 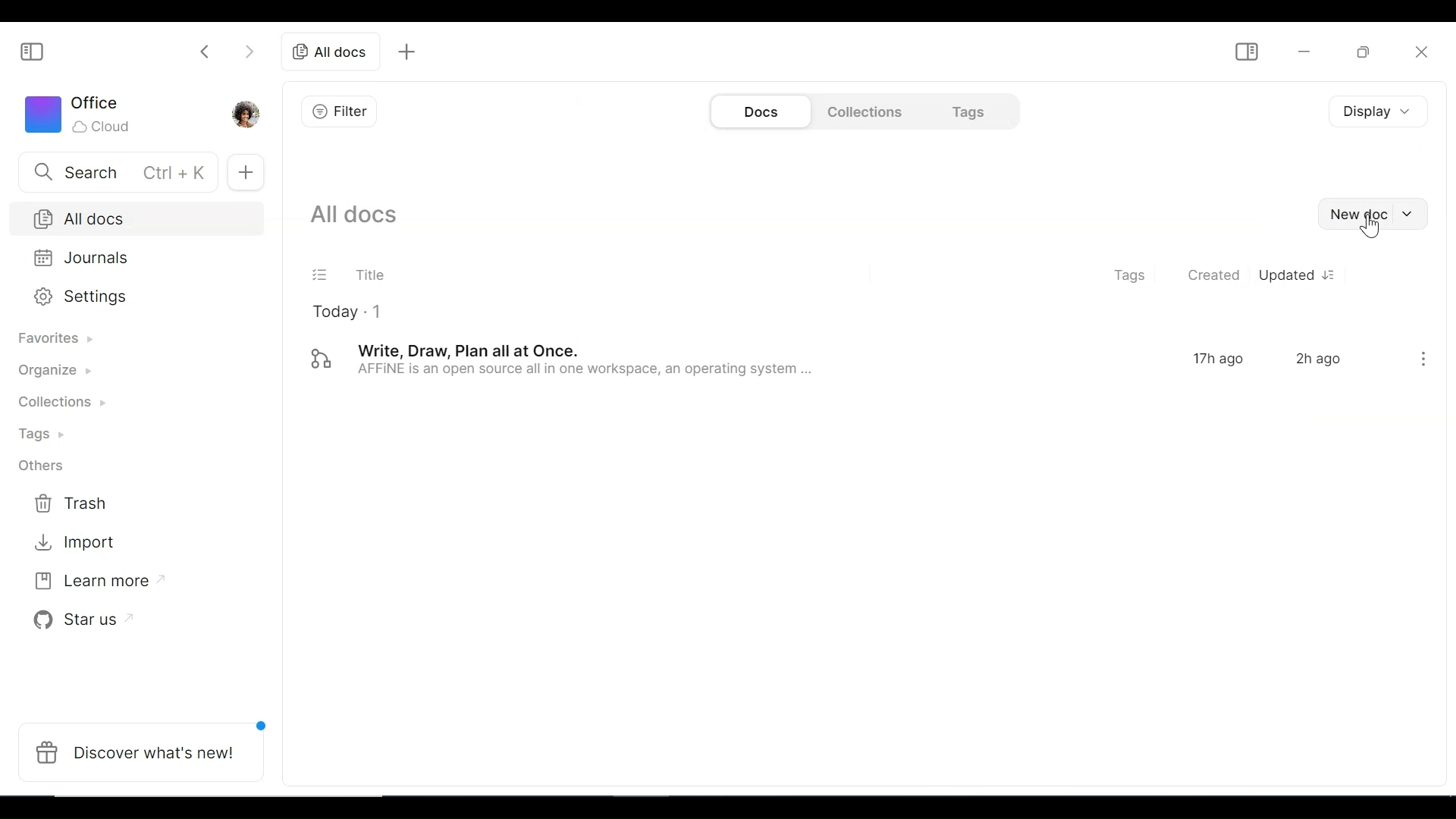 I want to click on Display, so click(x=1369, y=109).